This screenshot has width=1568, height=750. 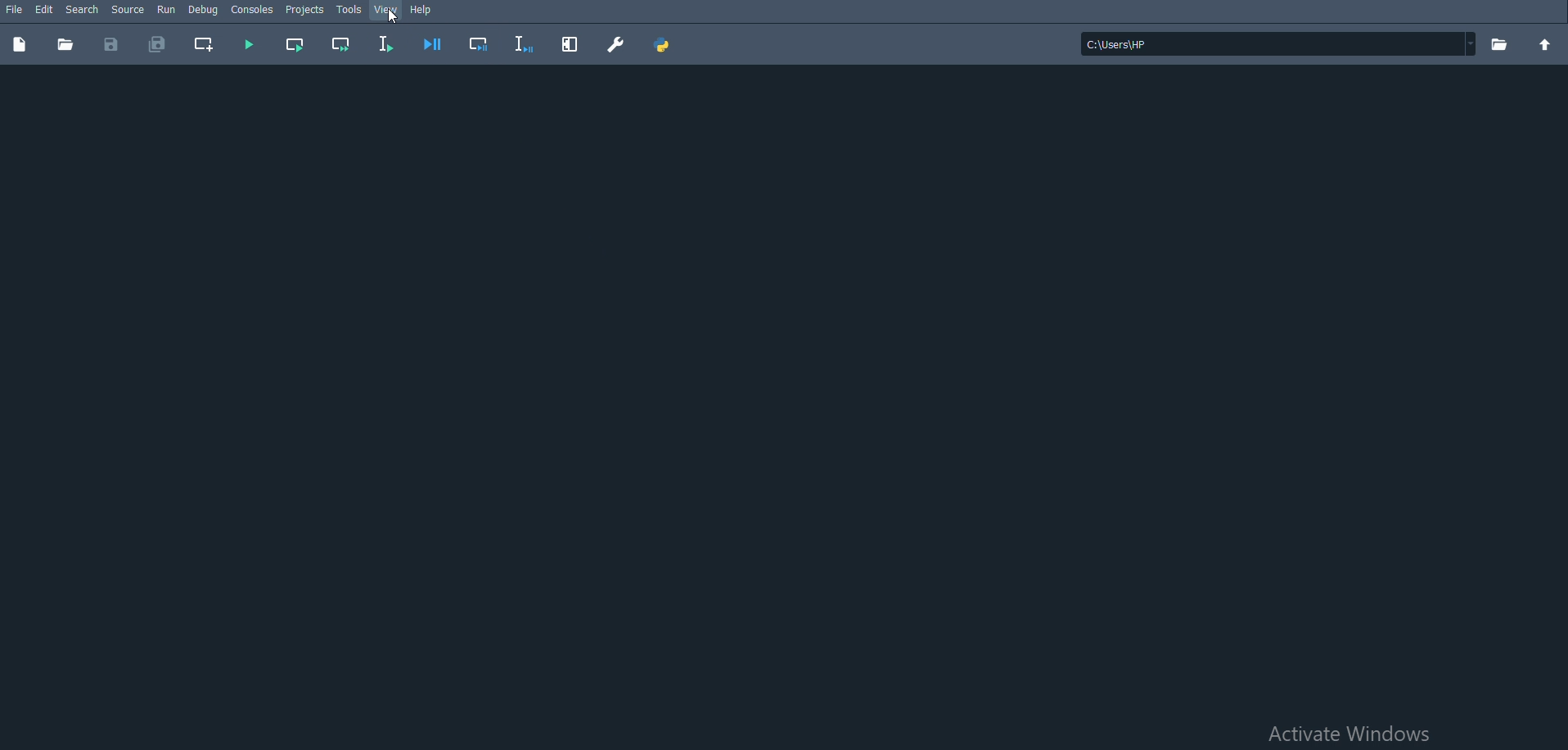 I want to click on Debug cell, so click(x=478, y=43).